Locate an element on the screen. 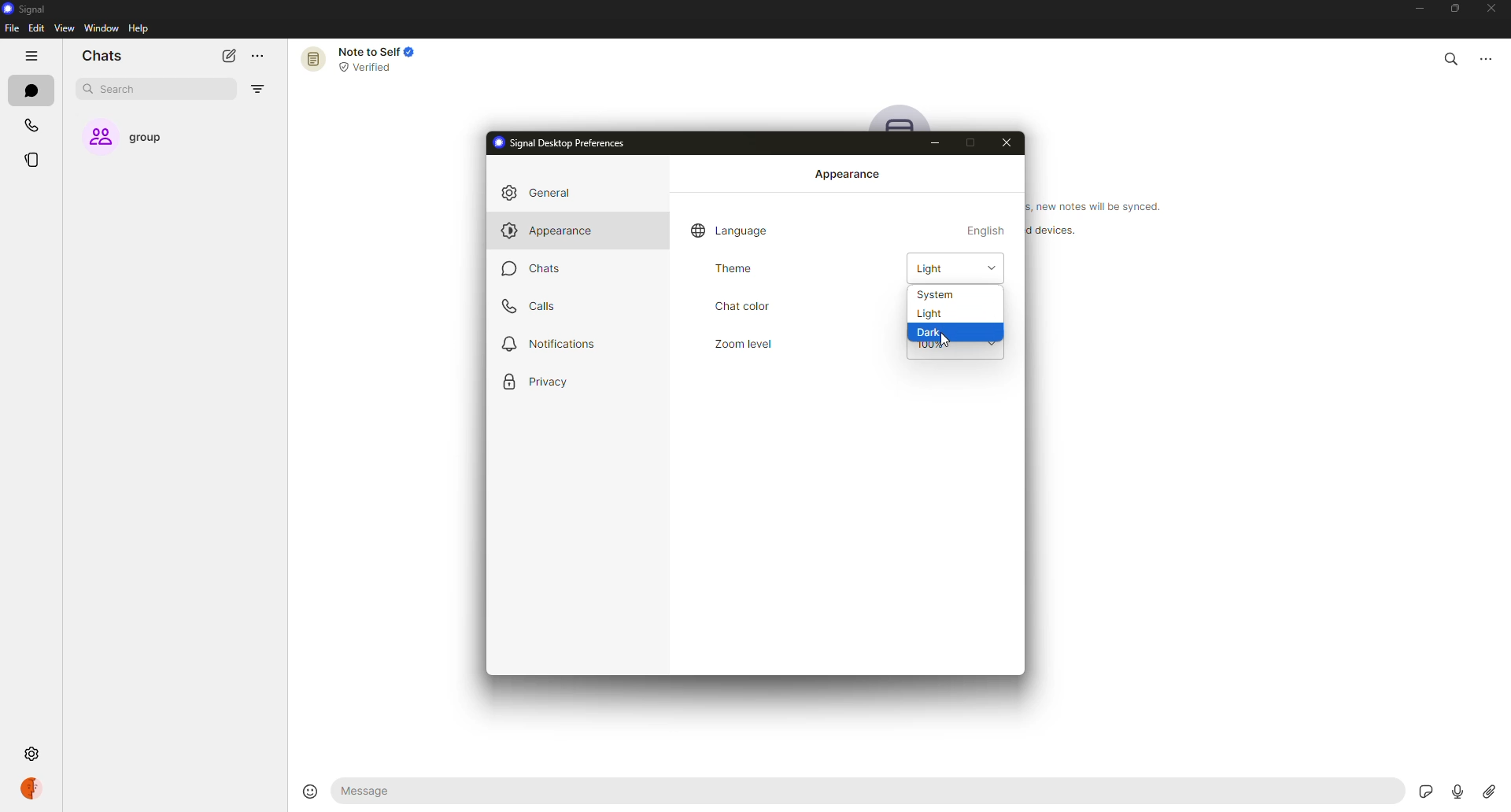  appearance is located at coordinates (549, 231).